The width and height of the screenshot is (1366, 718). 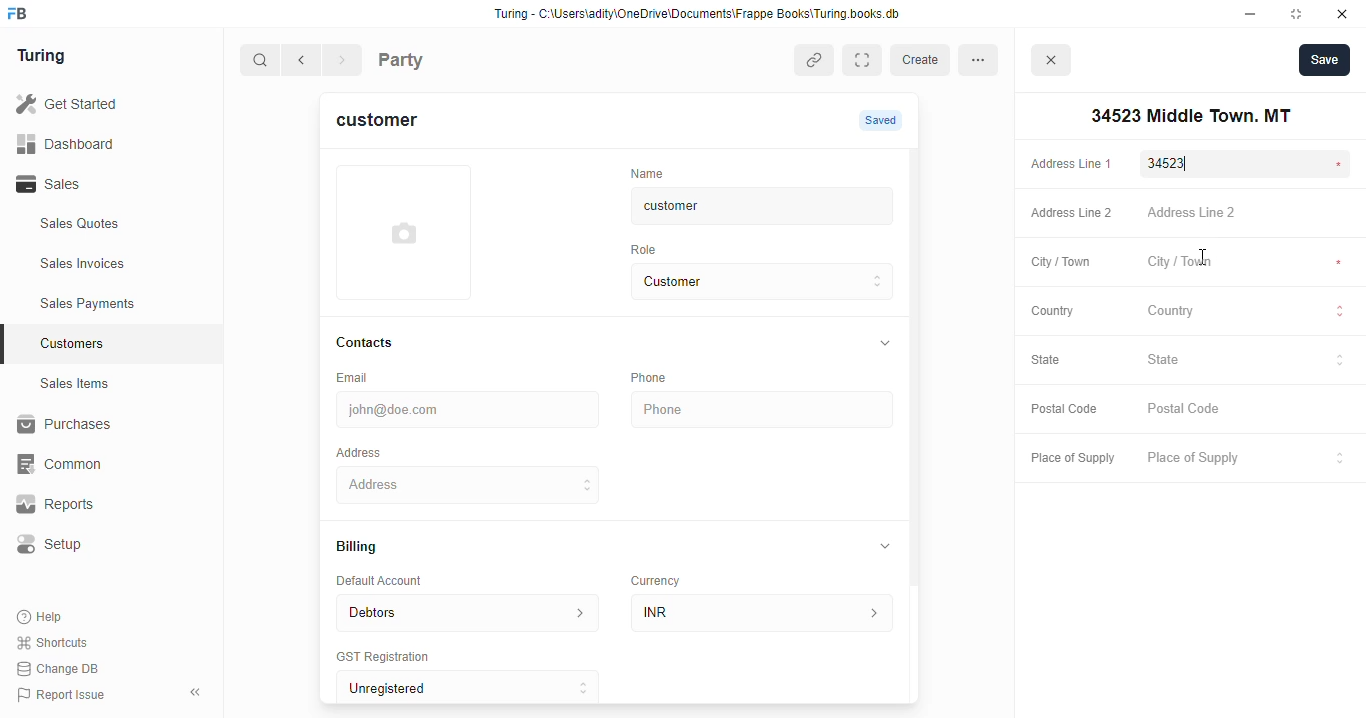 I want to click on copy link, so click(x=816, y=62).